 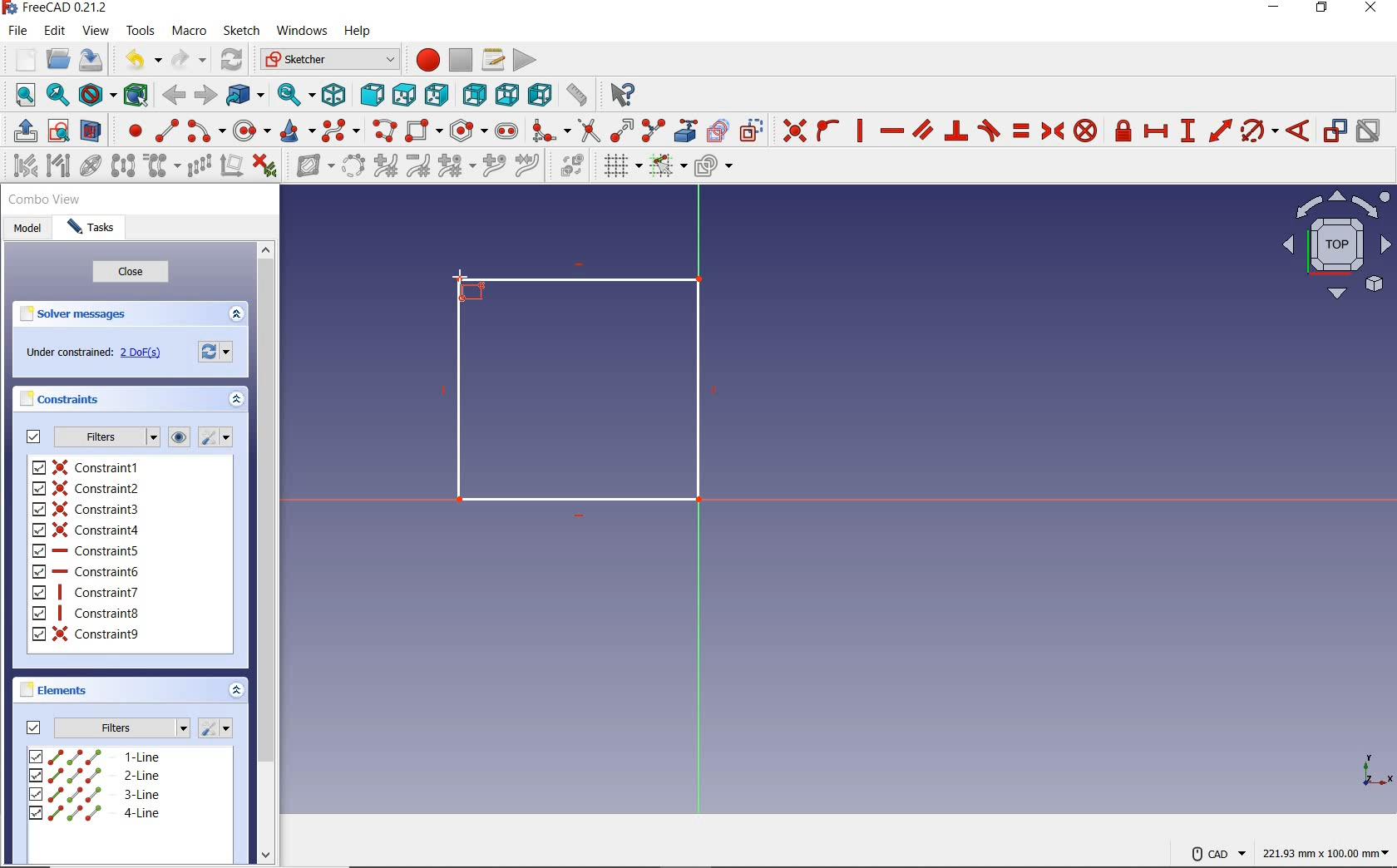 I want to click on xy, so click(x=1366, y=769).